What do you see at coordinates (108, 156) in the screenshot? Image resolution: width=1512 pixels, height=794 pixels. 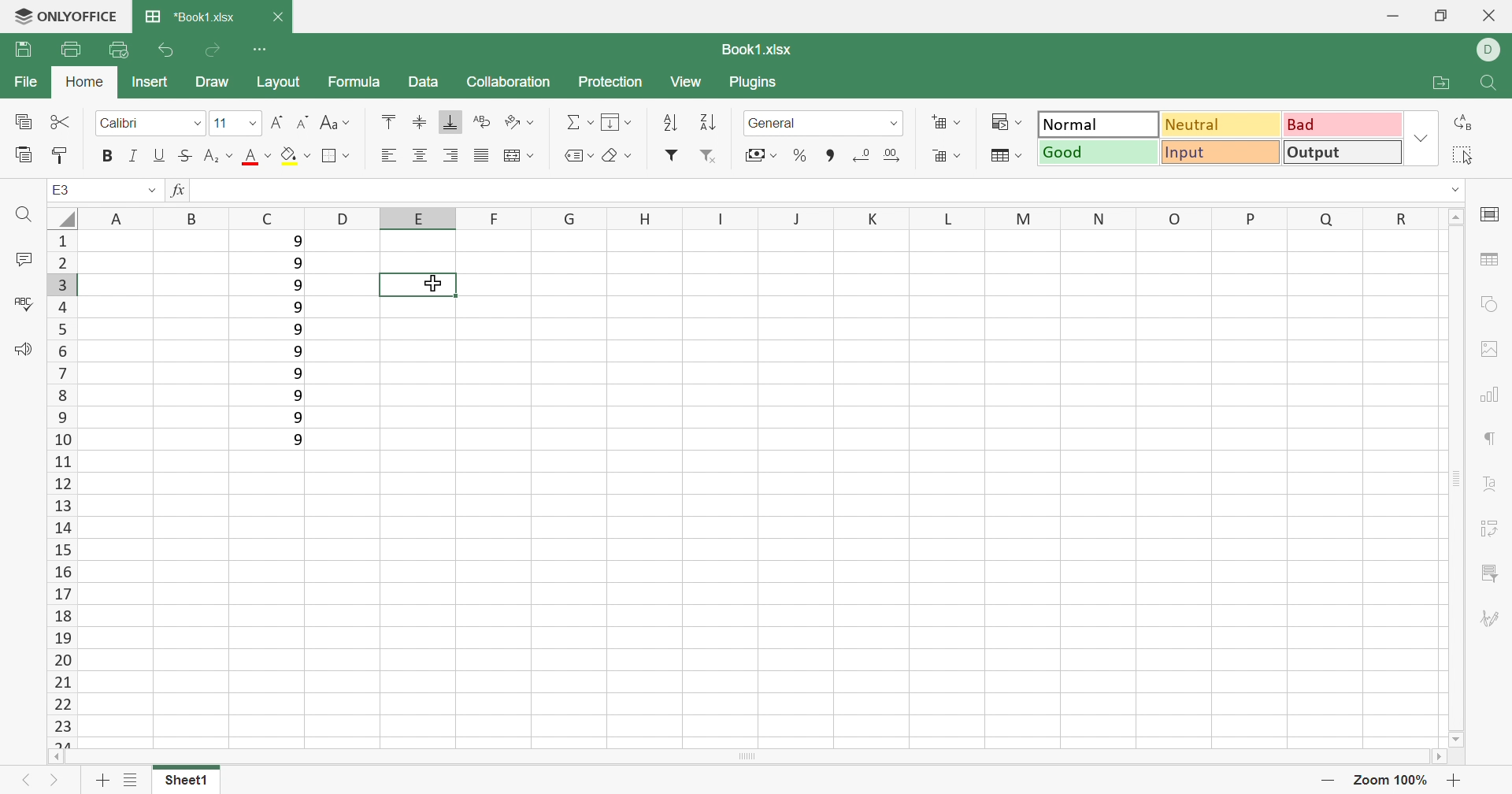 I see `Bold` at bounding box center [108, 156].